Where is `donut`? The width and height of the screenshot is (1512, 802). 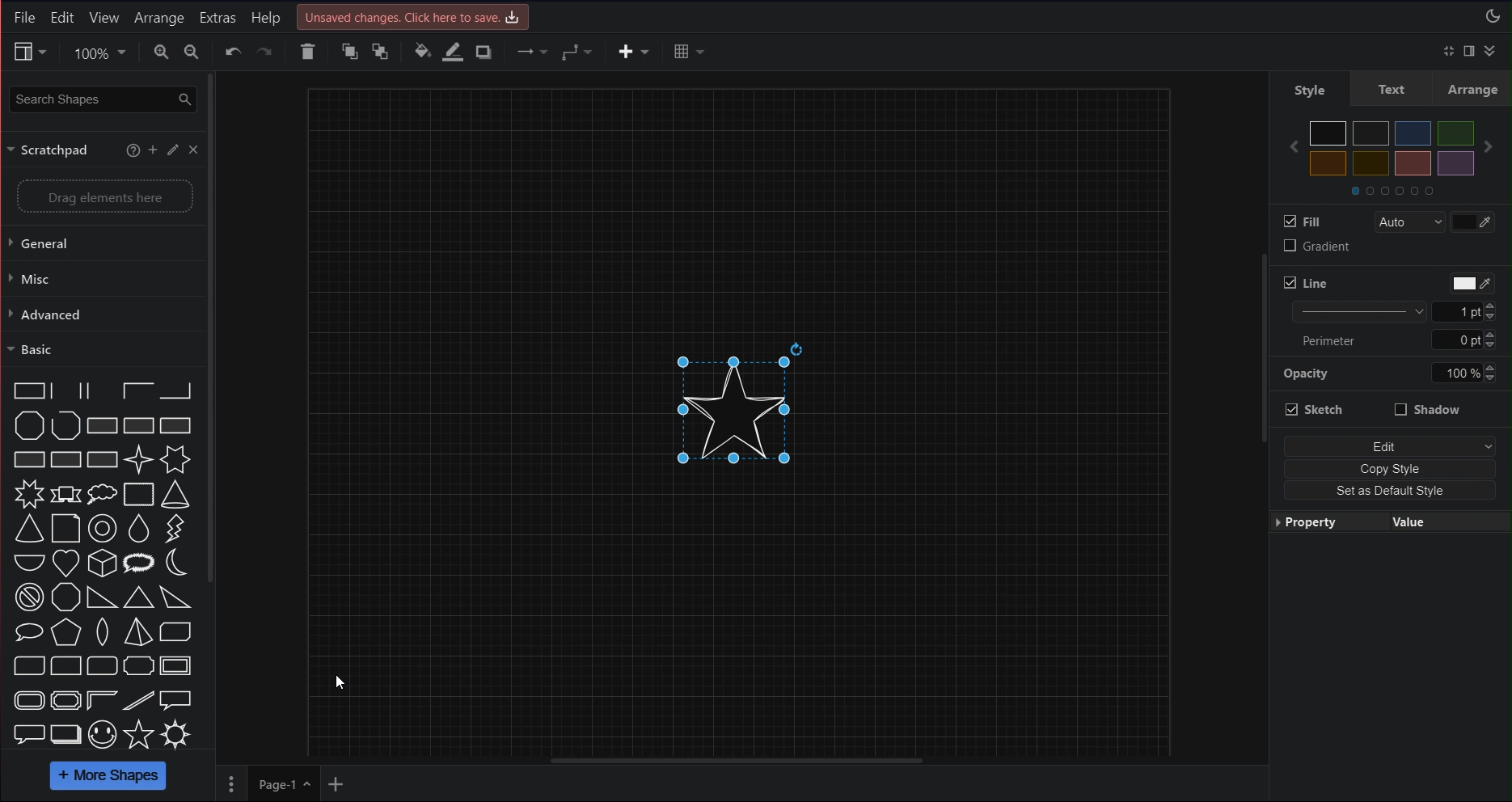
donut is located at coordinates (103, 529).